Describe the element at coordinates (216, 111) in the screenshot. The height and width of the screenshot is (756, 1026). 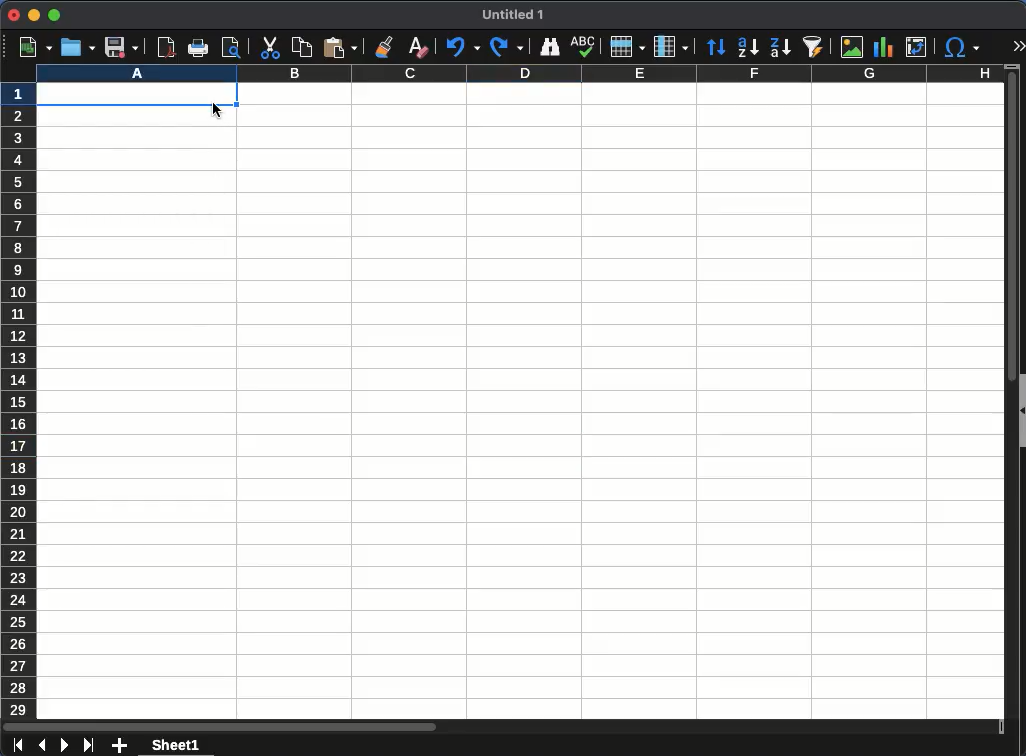
I see `cursor` at that location.